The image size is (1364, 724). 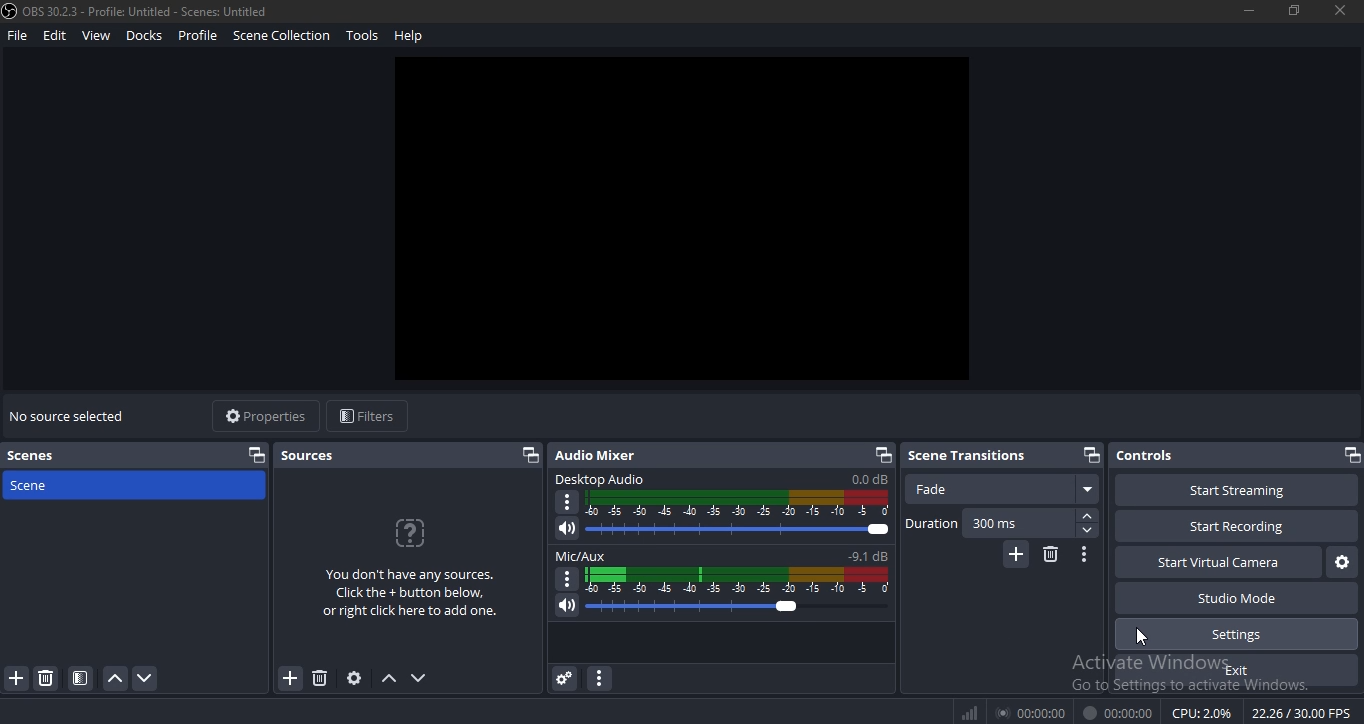 What do you see at coordinates (147, 678) in the screenshot?
I see `move down scene` at bounding box center [147, 678].